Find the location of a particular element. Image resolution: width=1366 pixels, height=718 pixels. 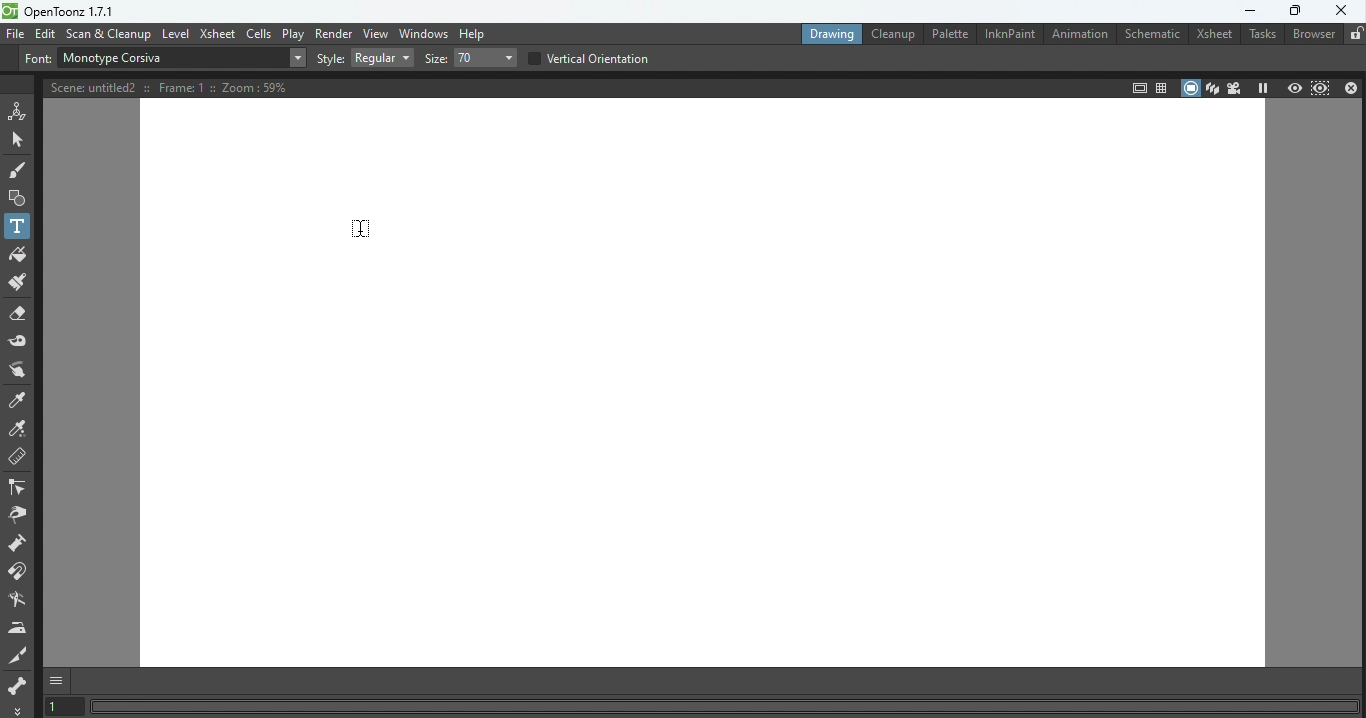

Camera stand view is located at coordinates (1190, 88).